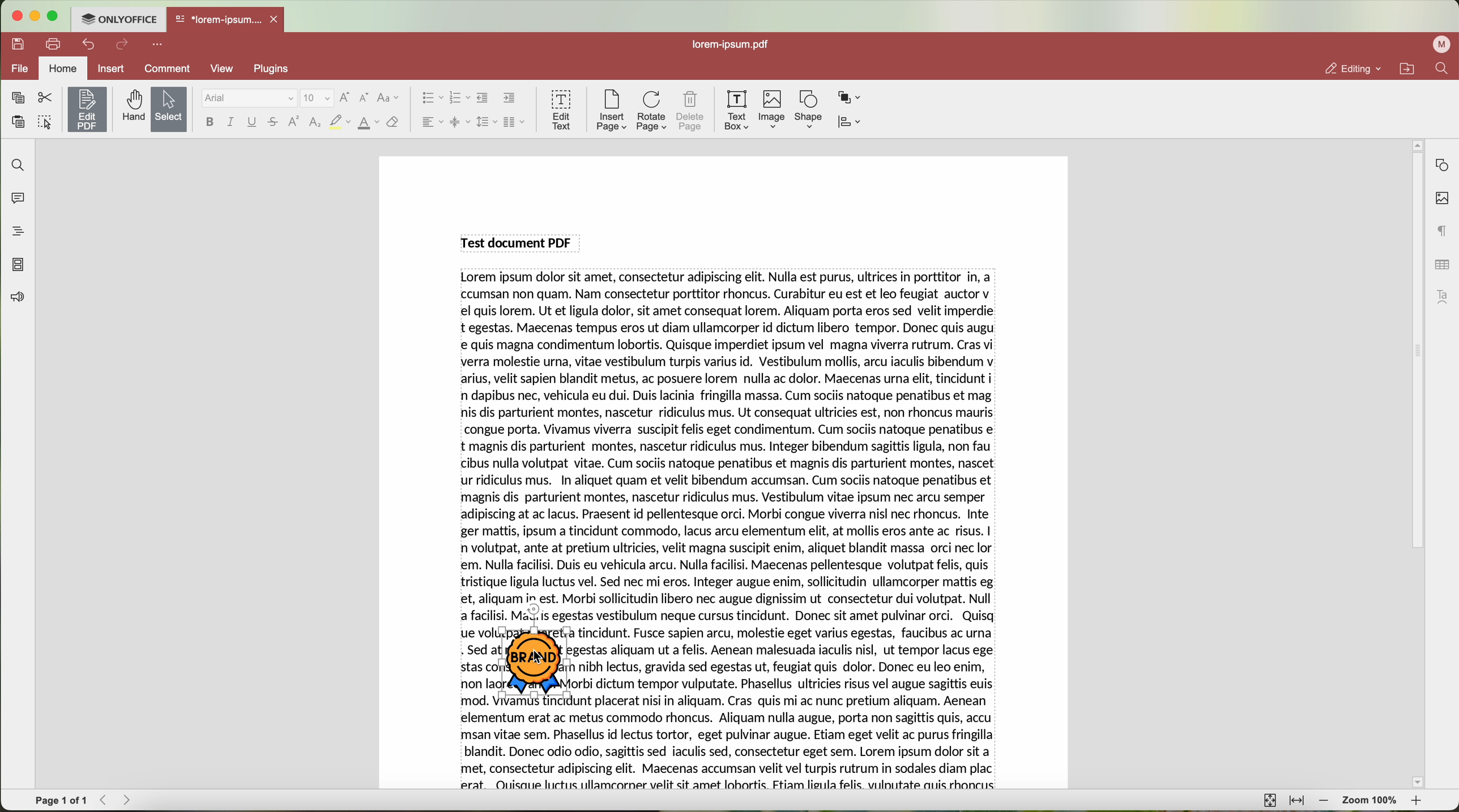 Image resolution: width=1459 pixels, height=812 pixels. What do you see at coordinates (1324, 801) in the screenshot?
I see `zoom out` at bounding box center [1324, 801].